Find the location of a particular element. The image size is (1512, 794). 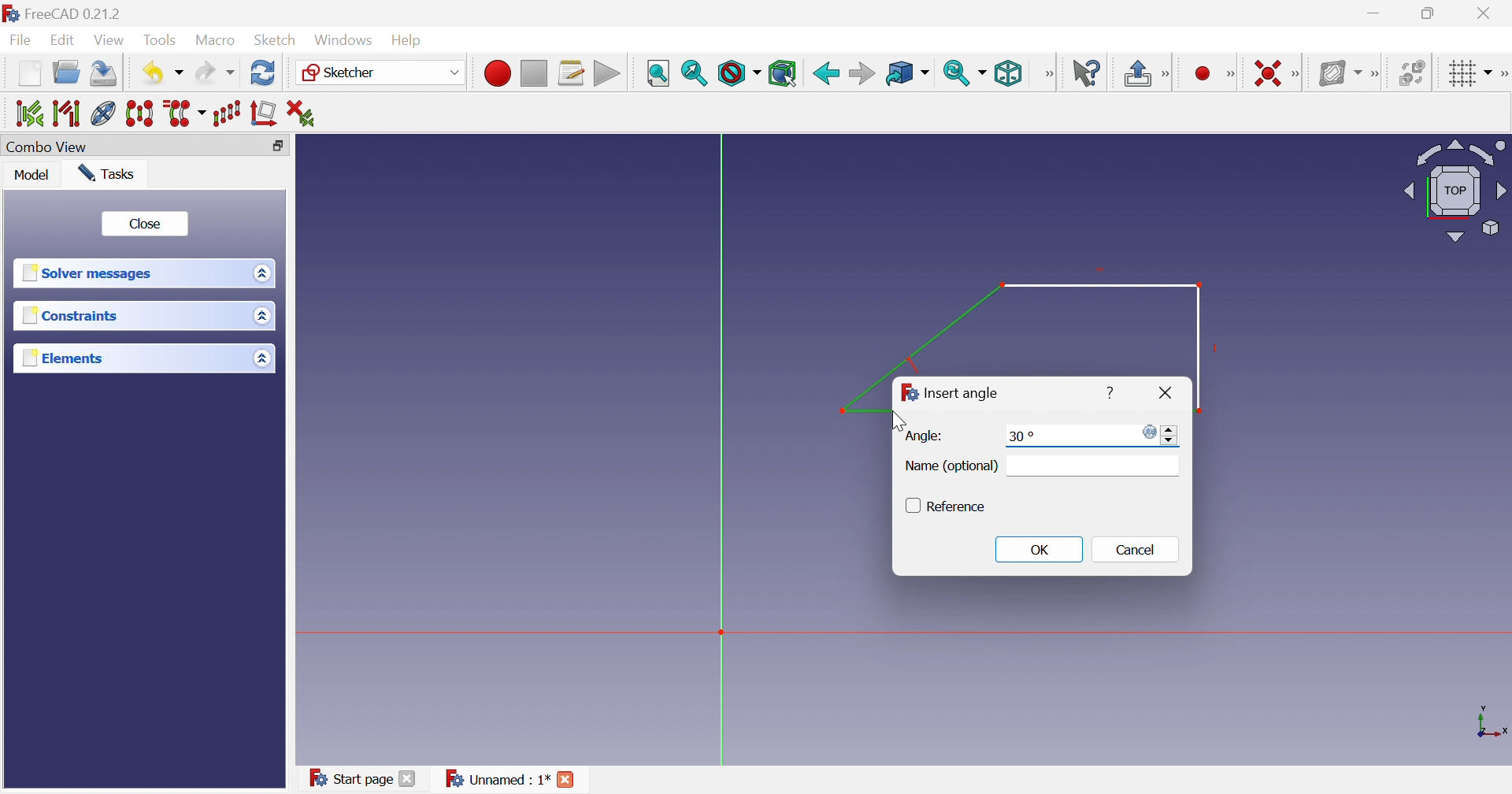

Checkbox is located at coordinates (910, 506).